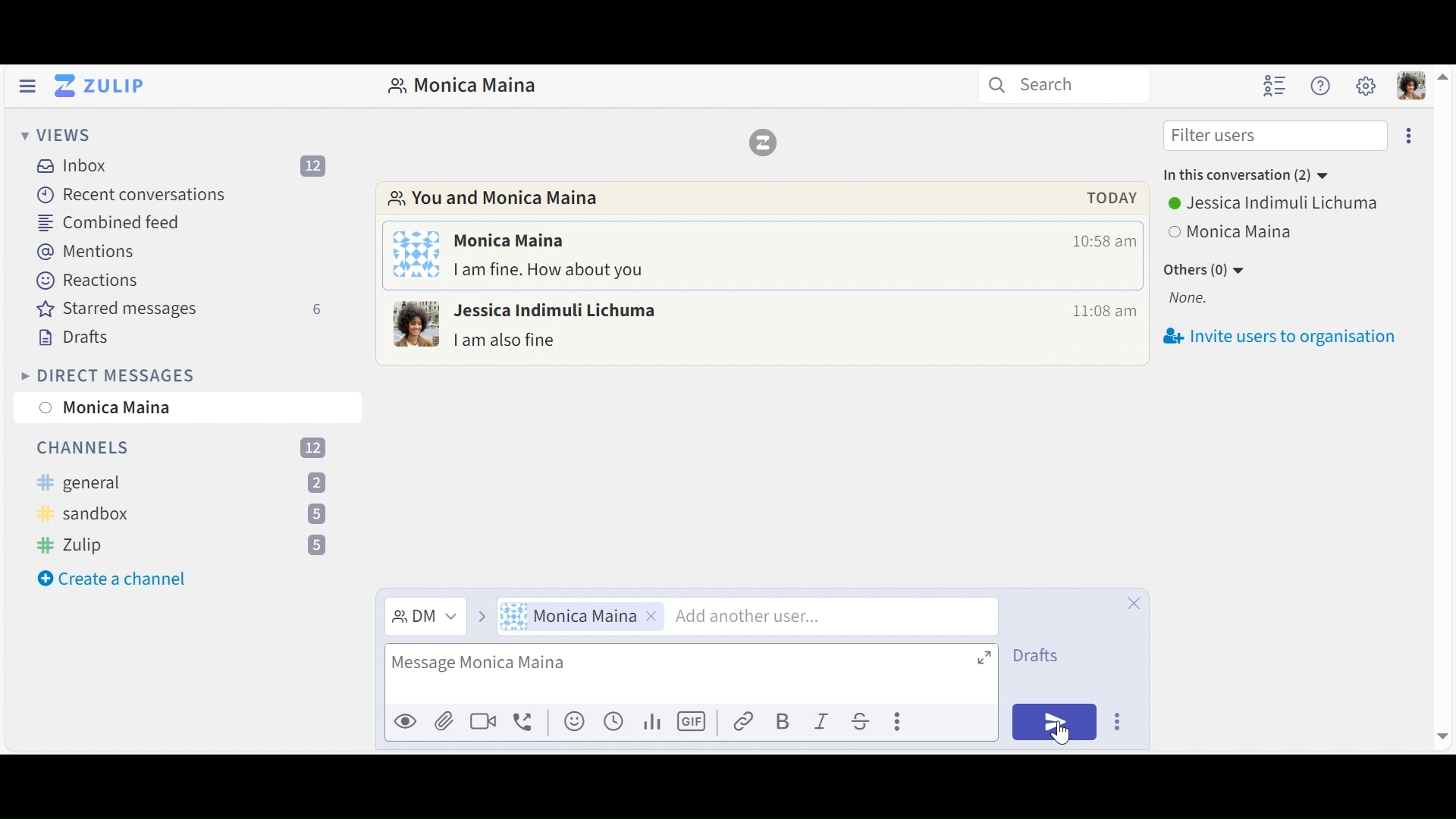 The image size is (1456, 819). What do you see at coordinates (1407, 136) in the screenshot?
I see `Eclipse` at bounding box center [1407, 136].